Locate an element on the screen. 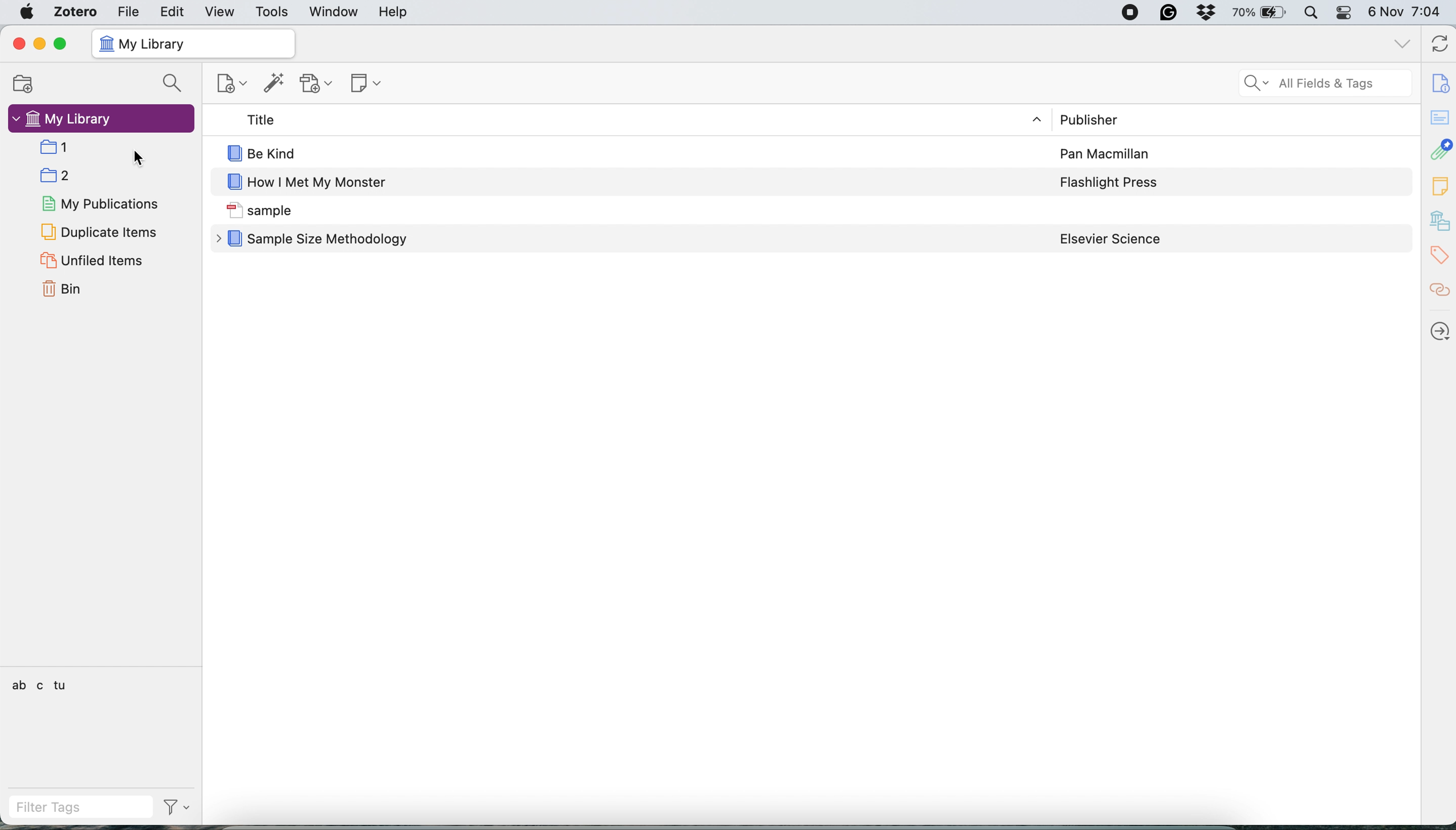  duplicate items is located at coordinates (99, 231).